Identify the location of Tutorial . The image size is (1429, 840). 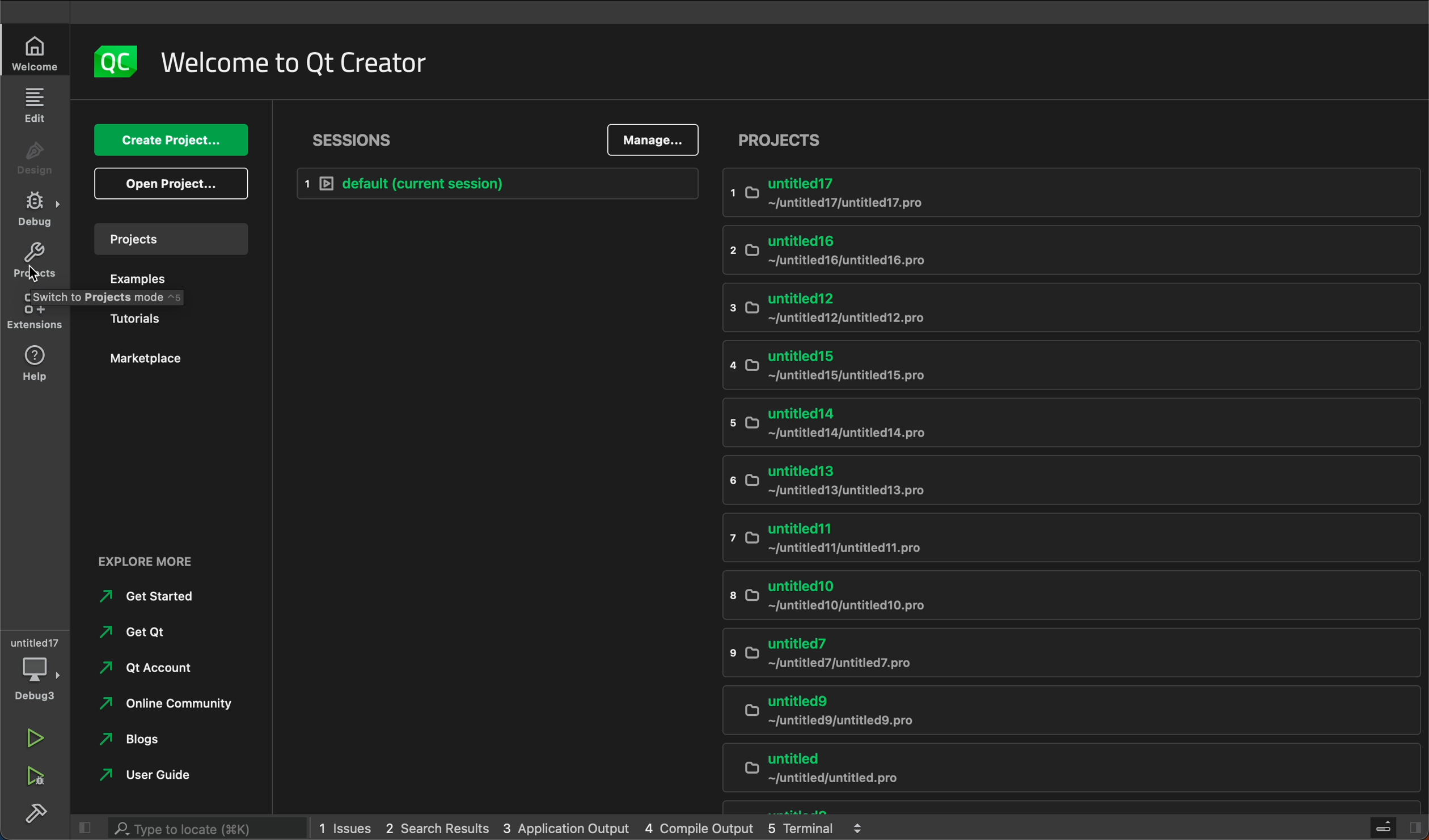
(164, 319).